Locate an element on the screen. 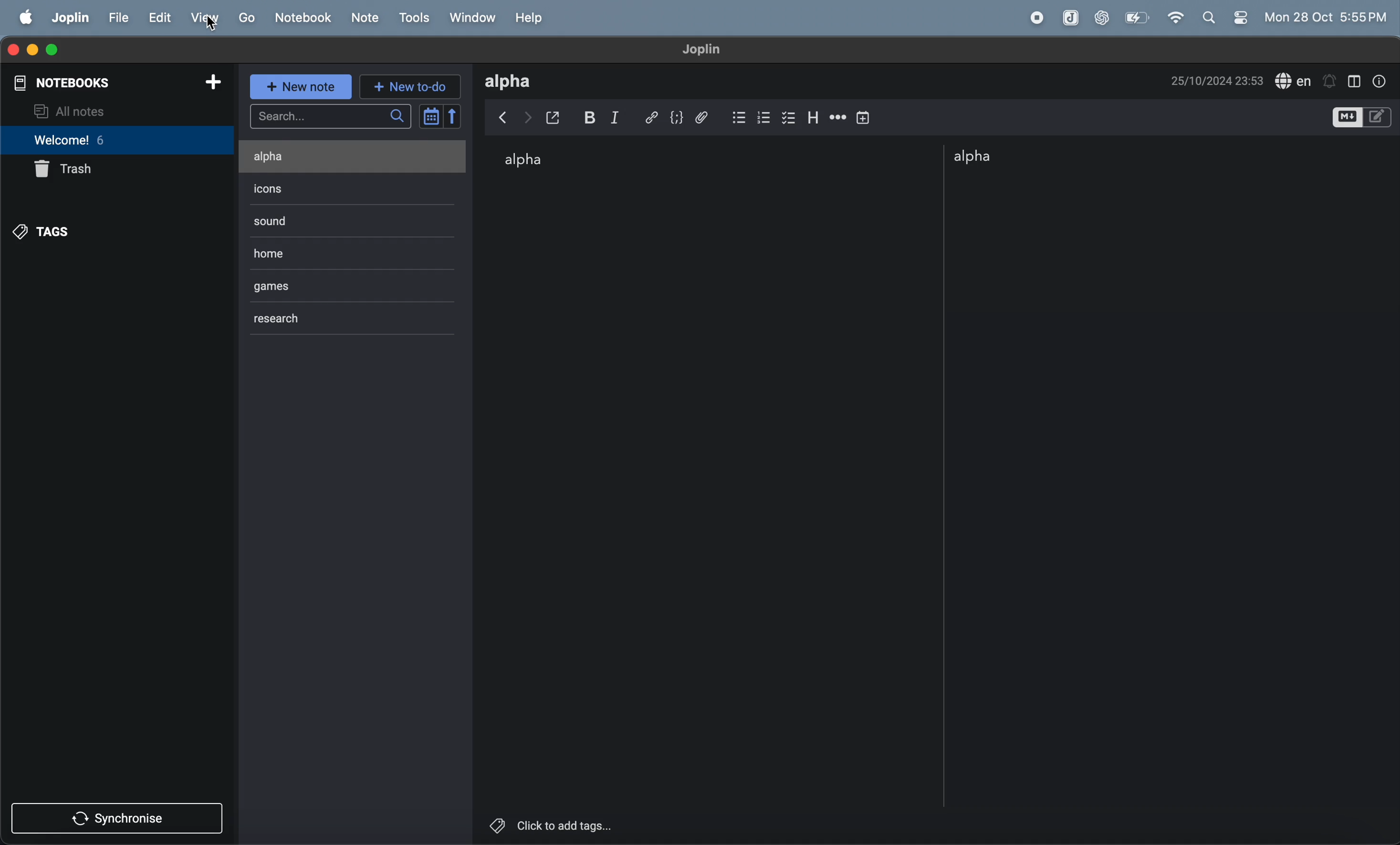  note 4 home is located at coordinates (335, 250).